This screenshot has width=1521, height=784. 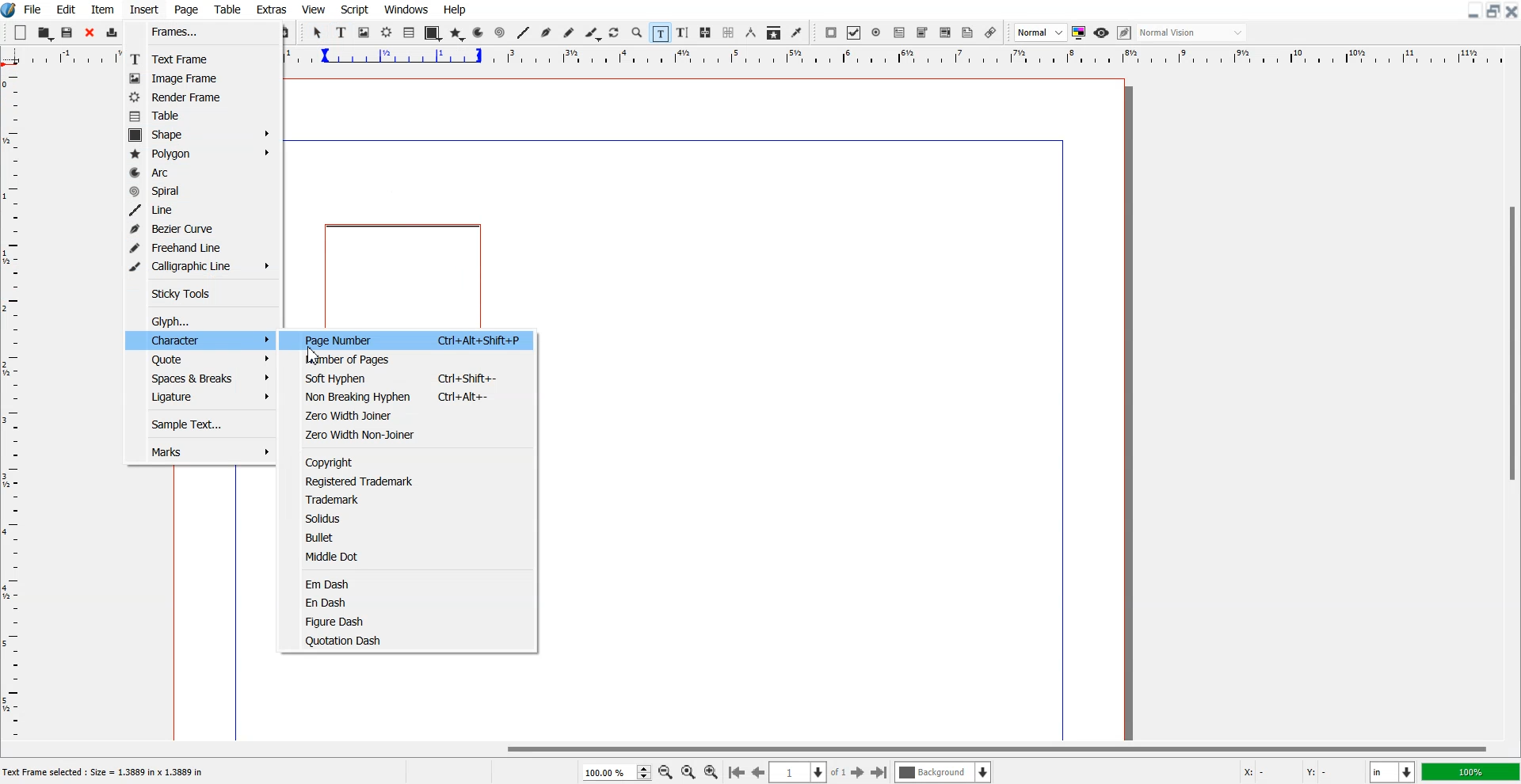 What do you see at coordinates (877, 32) in the screenshot?
I see `PDF Radio Button` at bounding box center [877, 32].